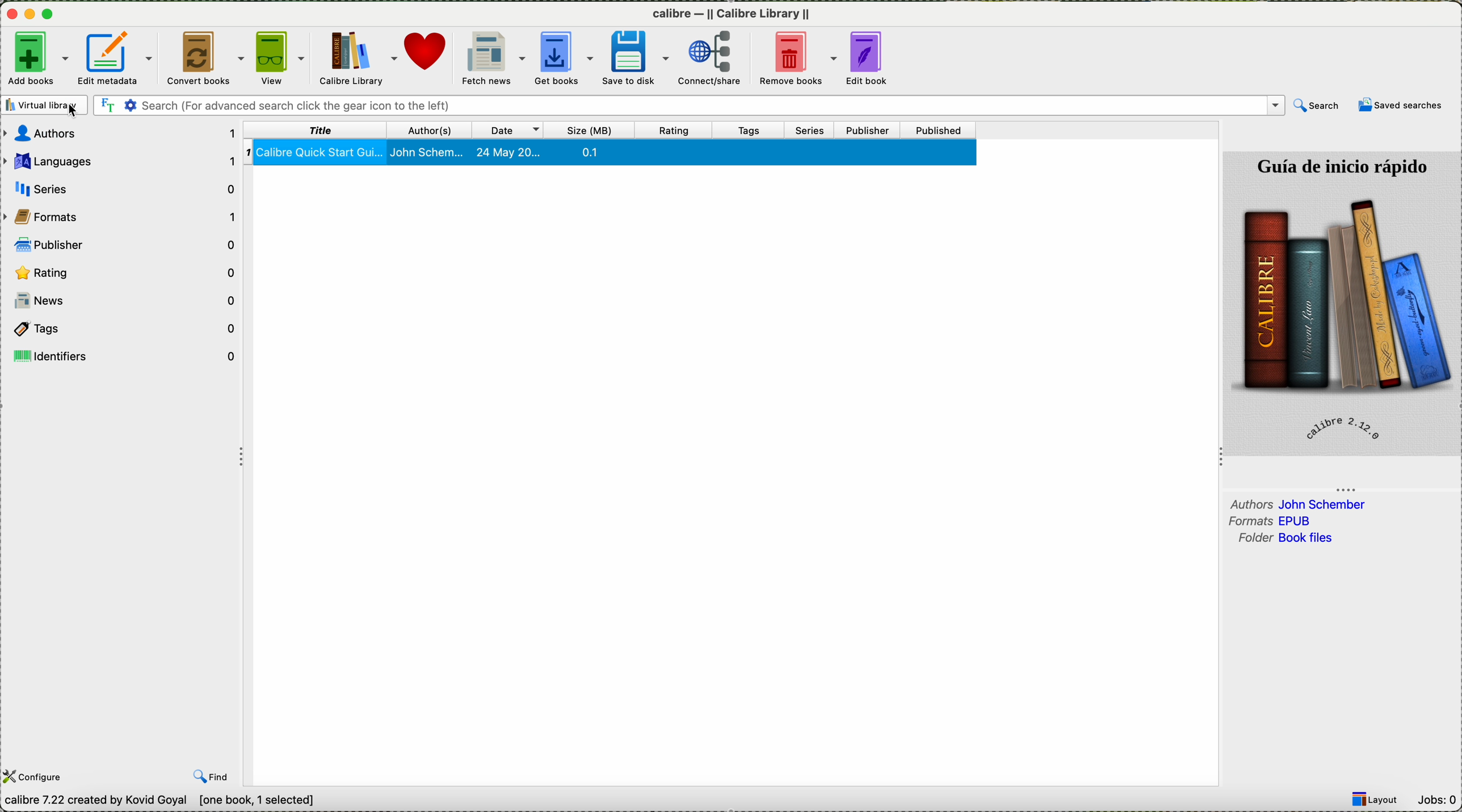  Describe the element at coordinates (1275, 521) in the screenshot. I see `formats ` at that location.